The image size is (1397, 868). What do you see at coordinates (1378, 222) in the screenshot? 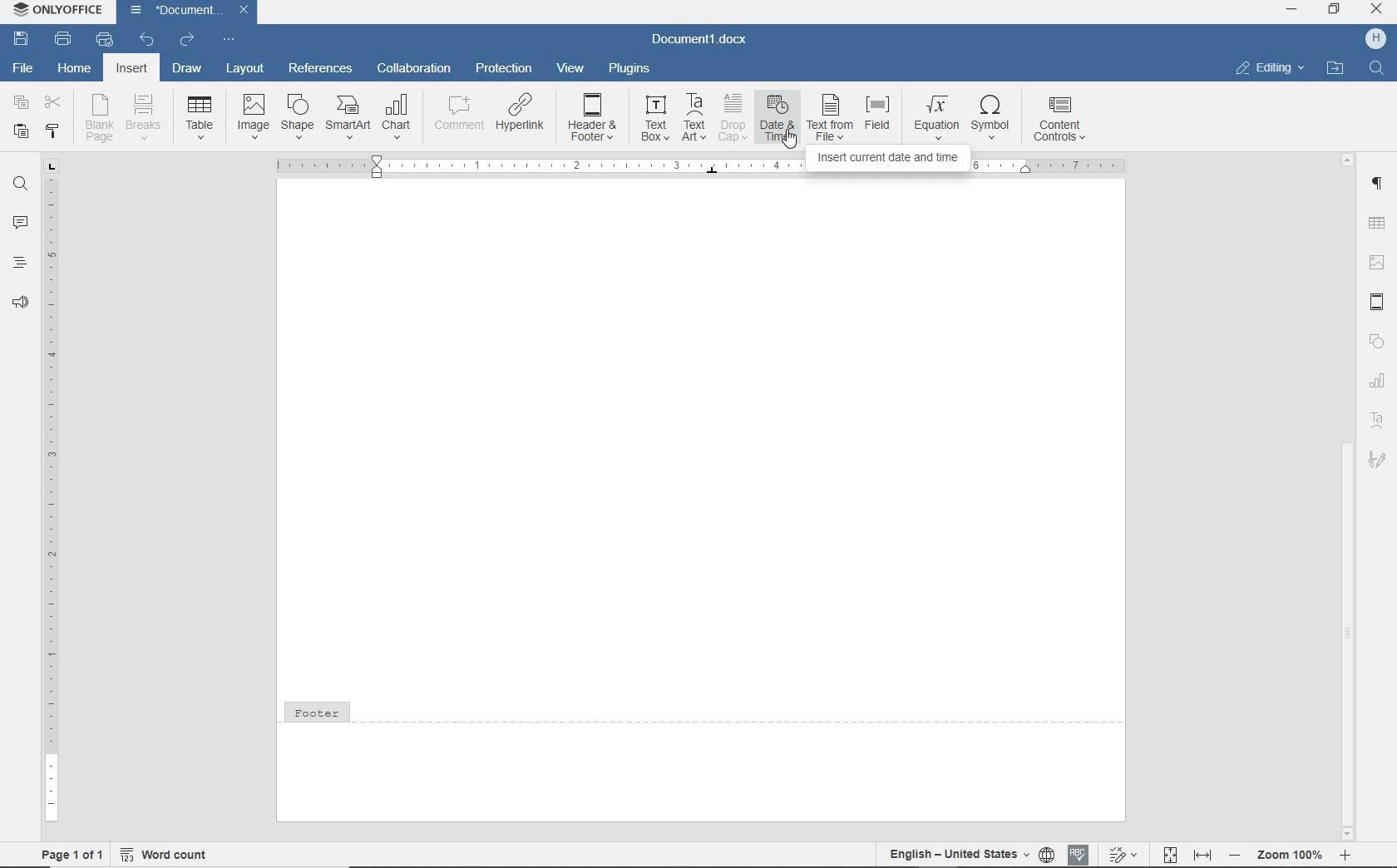
I see `table` at bounding box center [1378, 222].